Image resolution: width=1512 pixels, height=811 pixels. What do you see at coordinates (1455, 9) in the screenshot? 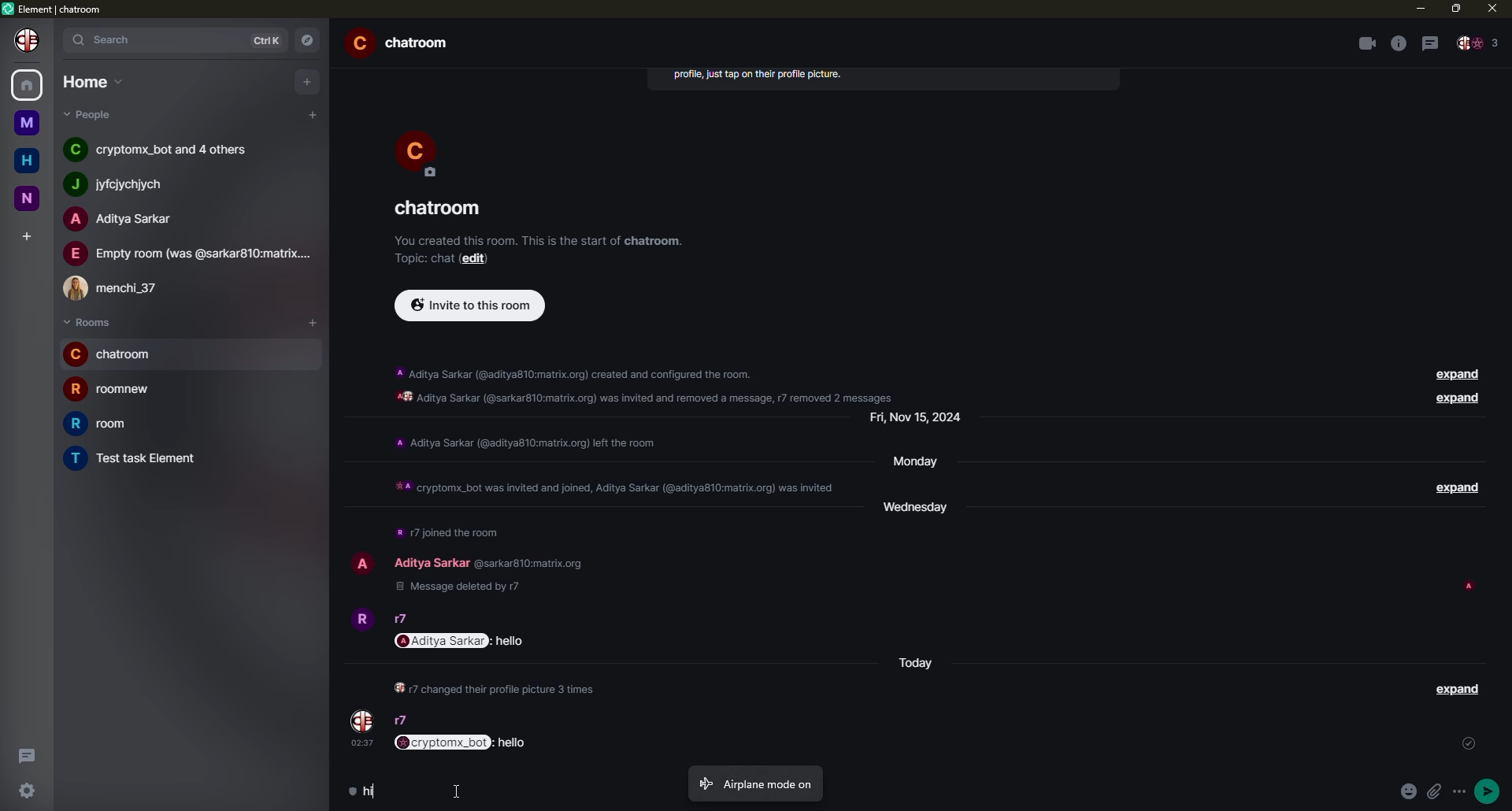
I see `max` at bounding box center [1455, 9].